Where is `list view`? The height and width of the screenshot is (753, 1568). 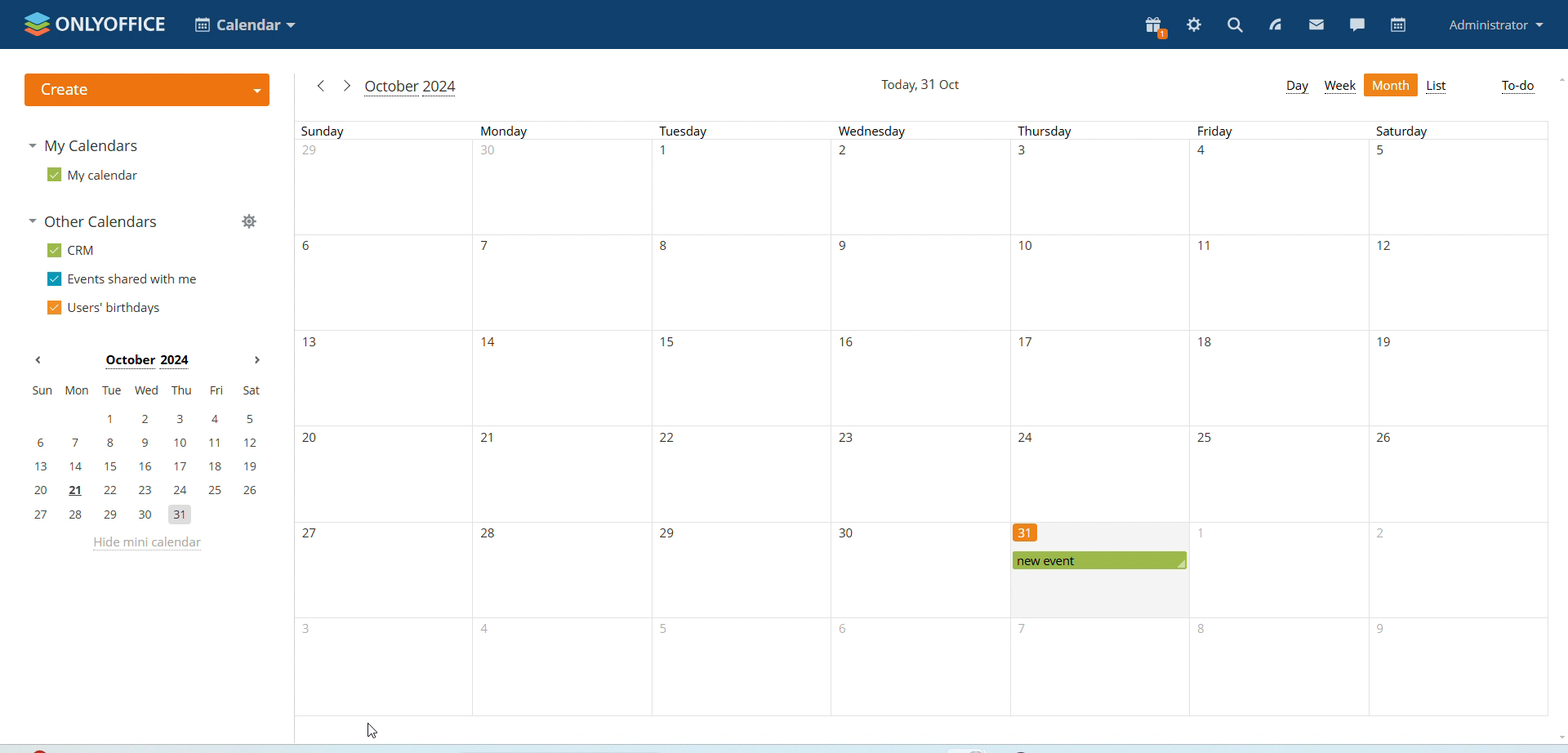 list view is located at coordinates (1437, 87).